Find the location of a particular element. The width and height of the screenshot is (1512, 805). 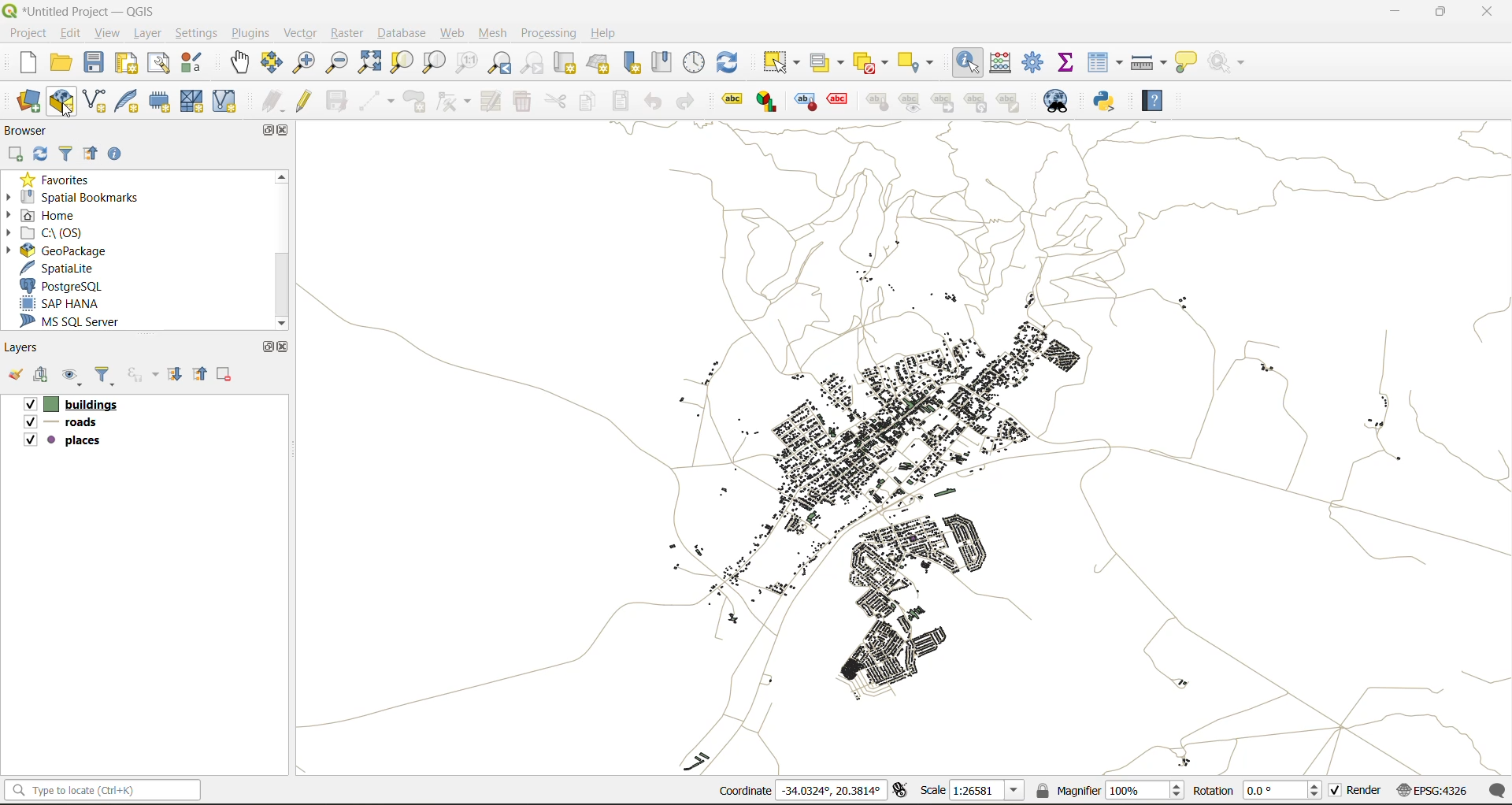

coordinates is located at coordinates (799, 792).